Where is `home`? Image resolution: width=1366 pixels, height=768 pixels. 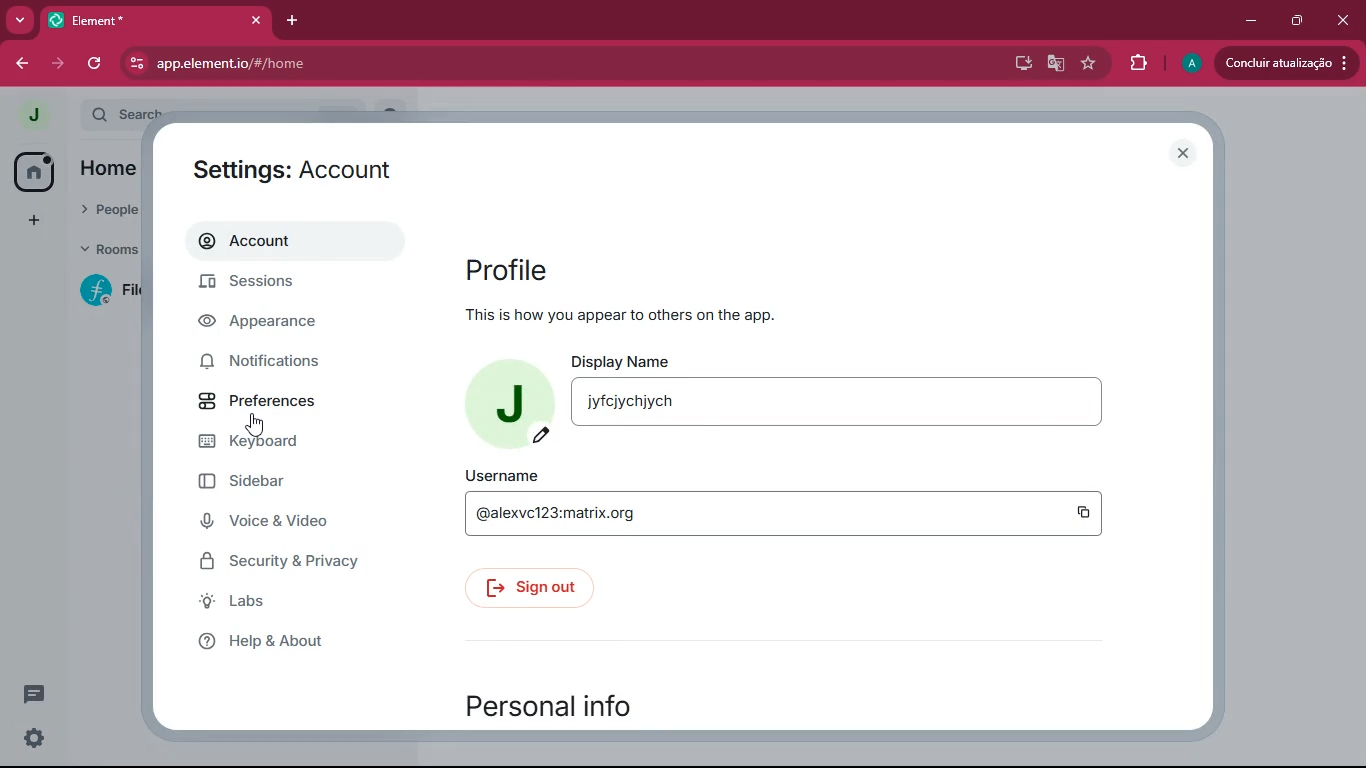 home is located at coordinates (107, 173).